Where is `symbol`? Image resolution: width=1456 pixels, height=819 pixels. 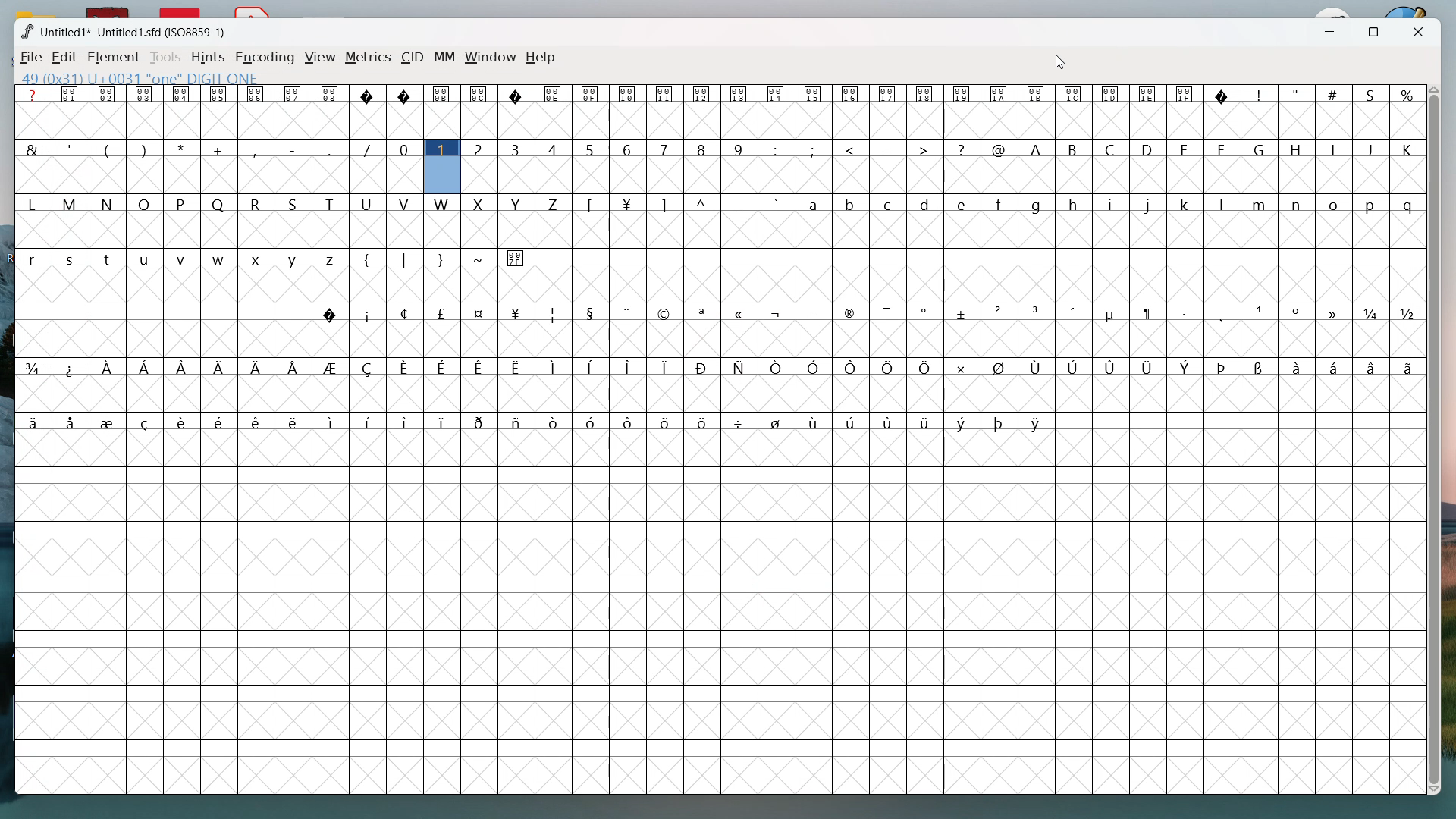 symbol is located at coordinates (554, 313).